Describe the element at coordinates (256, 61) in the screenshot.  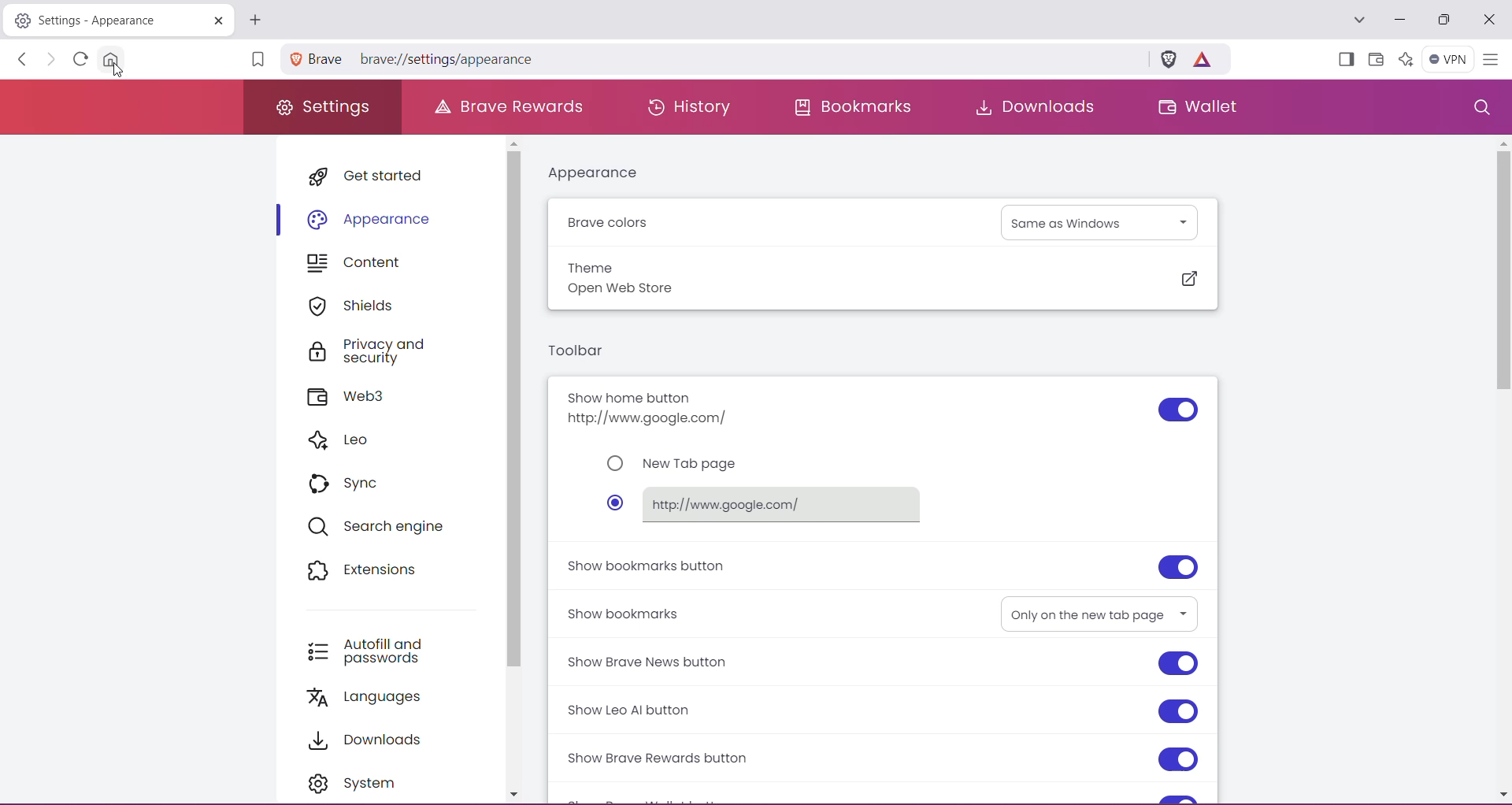
I see `Bookmark this Page` at that location.